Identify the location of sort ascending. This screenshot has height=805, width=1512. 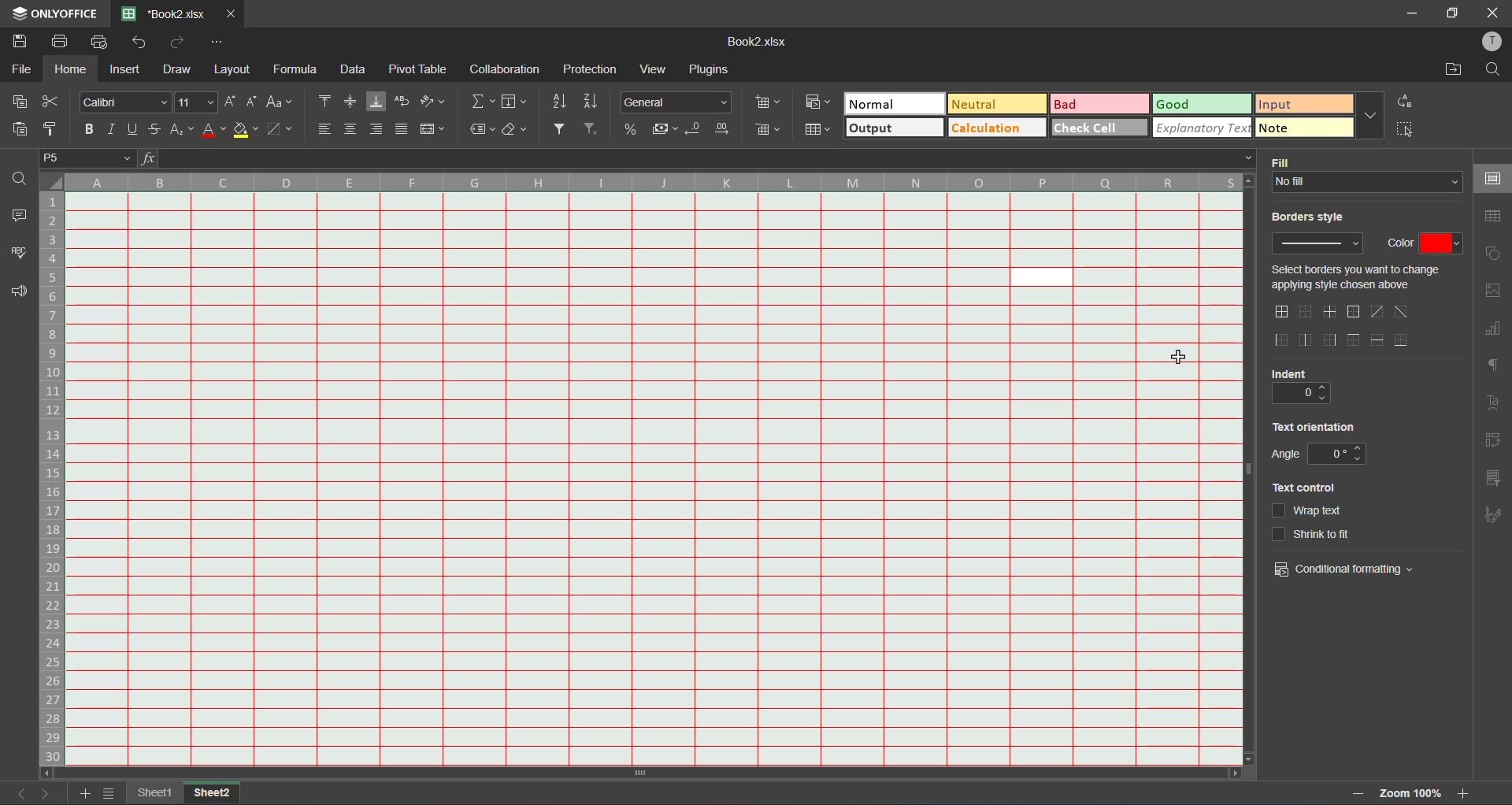
(564, 103).